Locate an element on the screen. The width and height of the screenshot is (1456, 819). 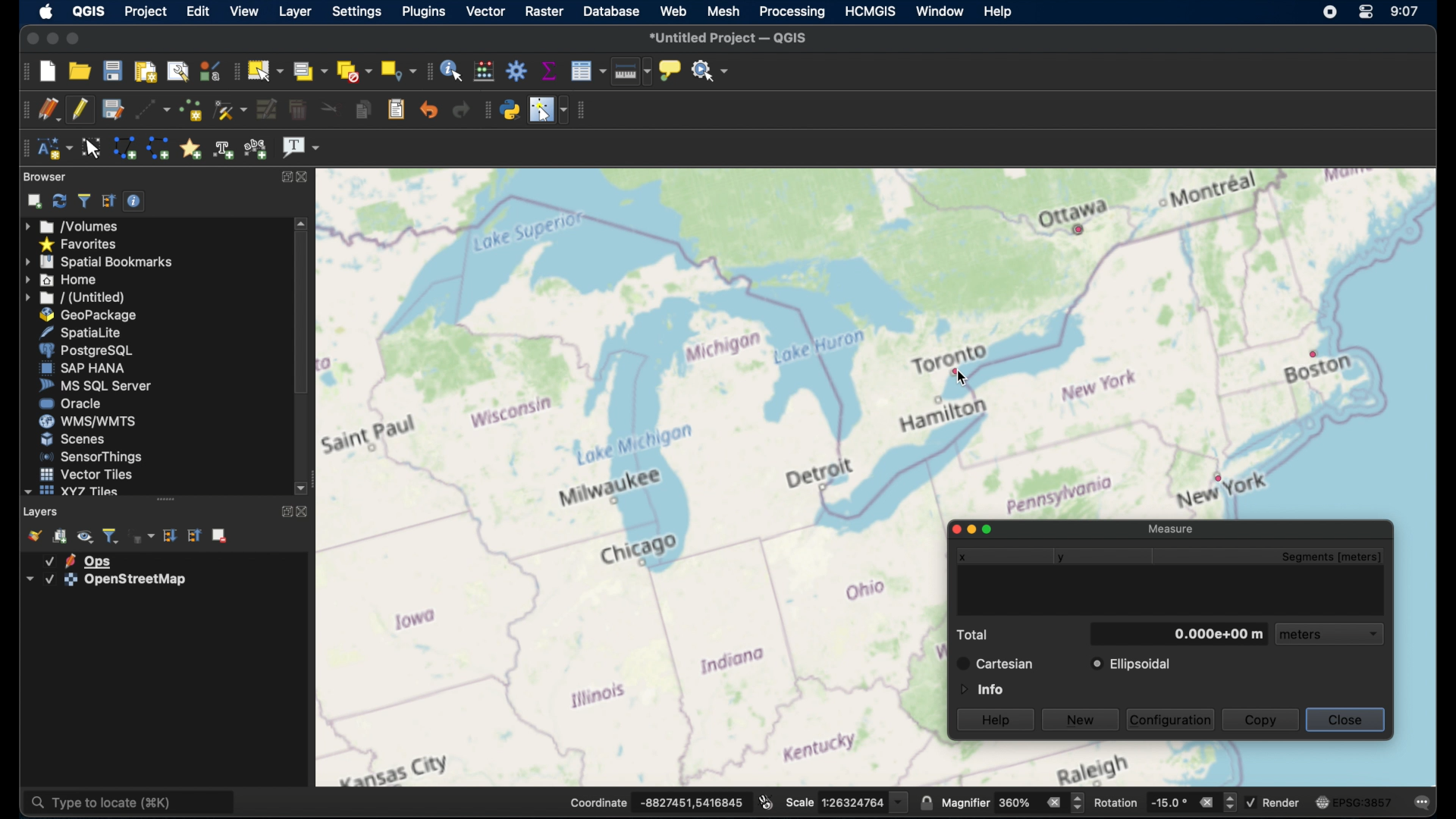
geopackage is located at coordinates (89, 315).